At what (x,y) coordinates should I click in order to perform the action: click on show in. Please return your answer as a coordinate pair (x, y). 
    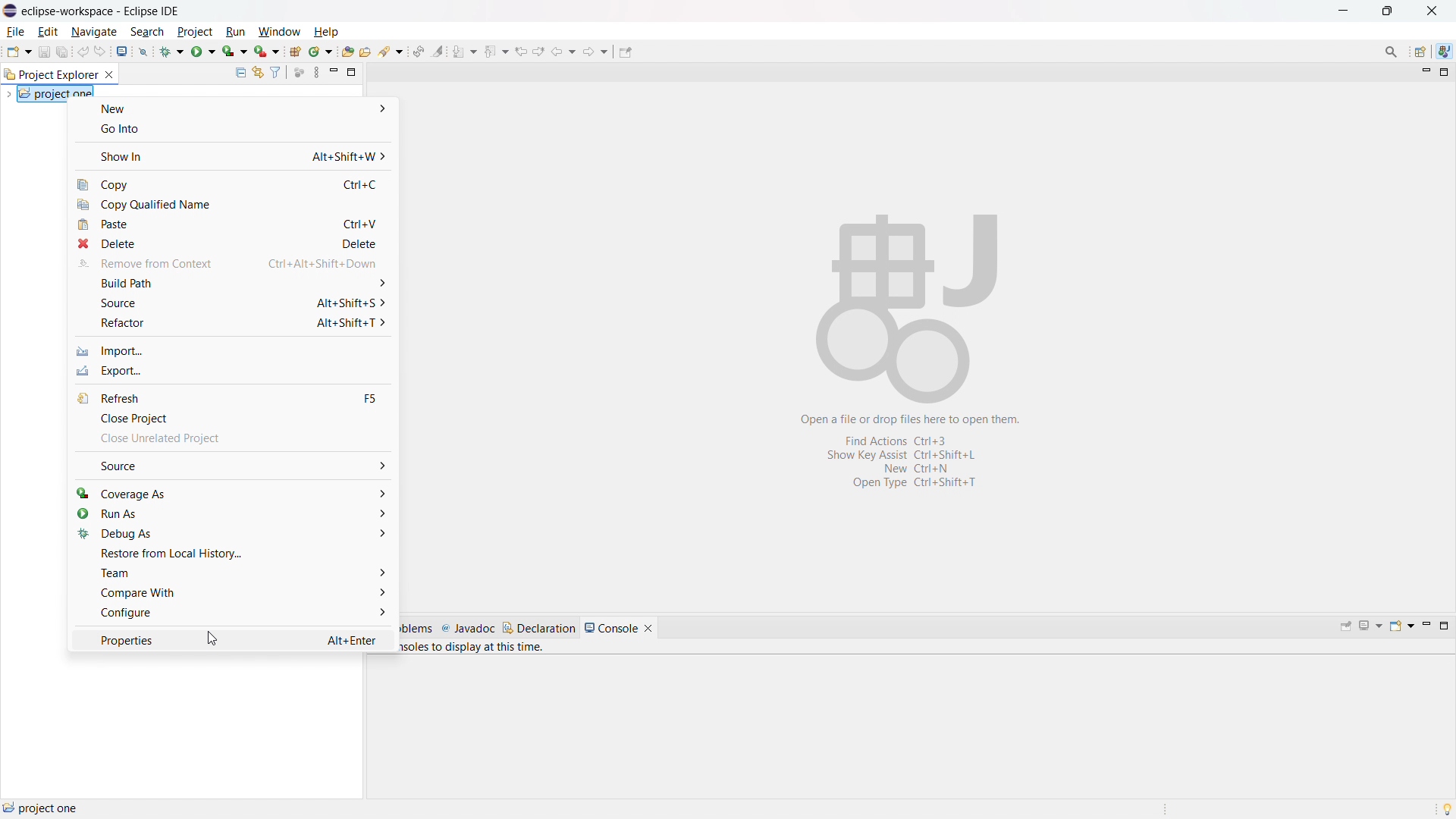
    Looking at the image, I should click on (233, 155).